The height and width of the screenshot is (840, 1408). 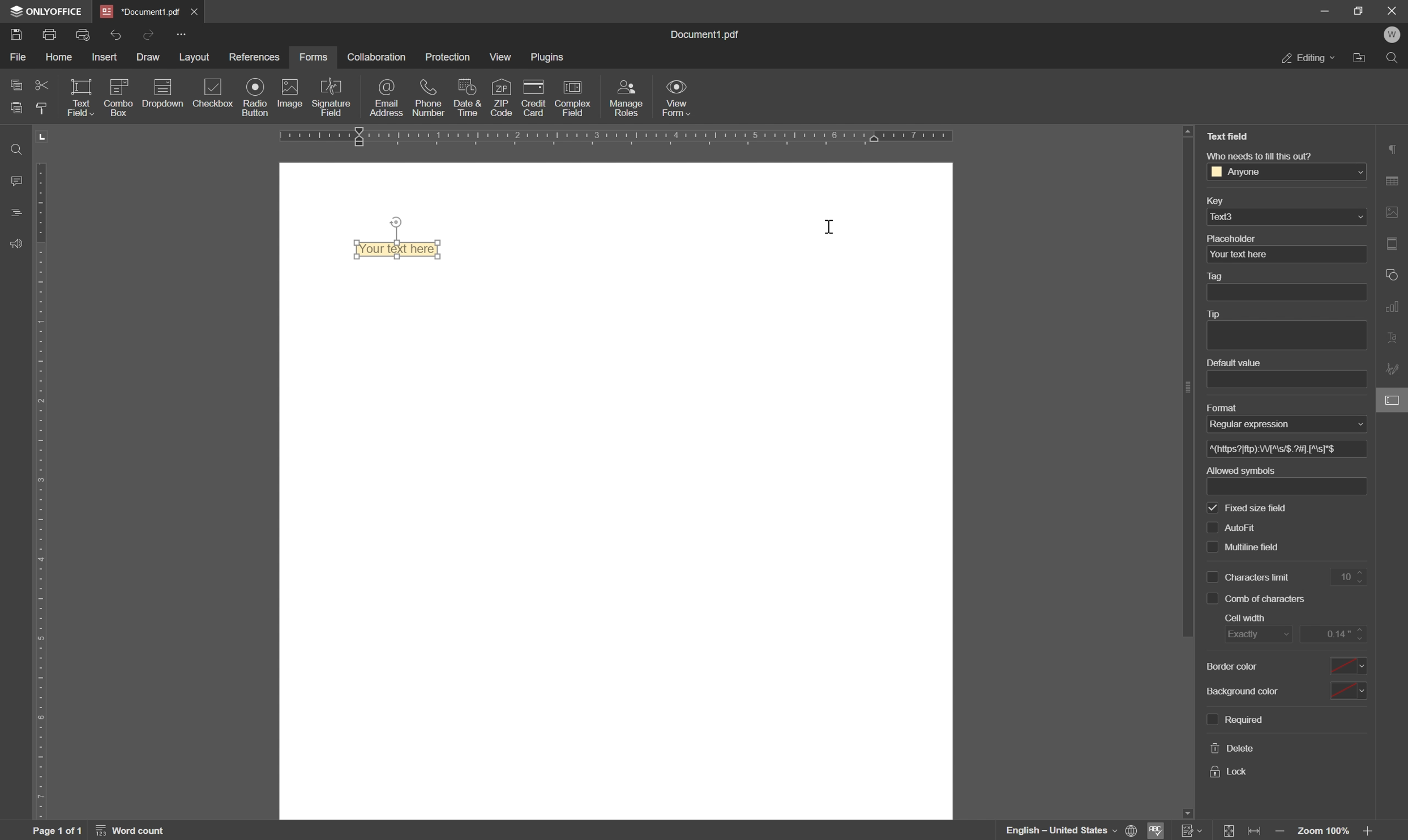 I want to click on manage roles, so click(x=628, y=97).